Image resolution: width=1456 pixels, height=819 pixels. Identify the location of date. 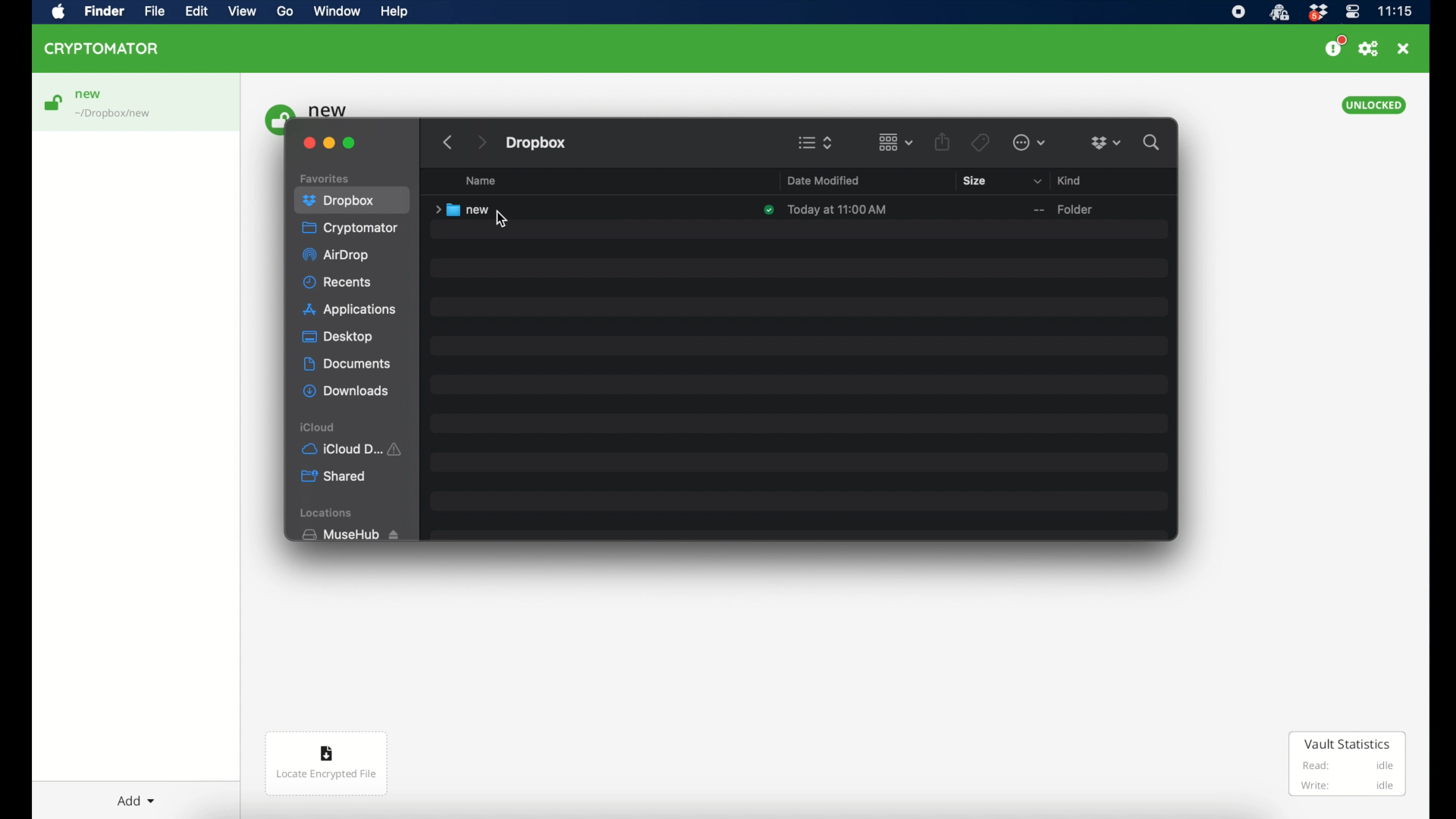
(827, 210).